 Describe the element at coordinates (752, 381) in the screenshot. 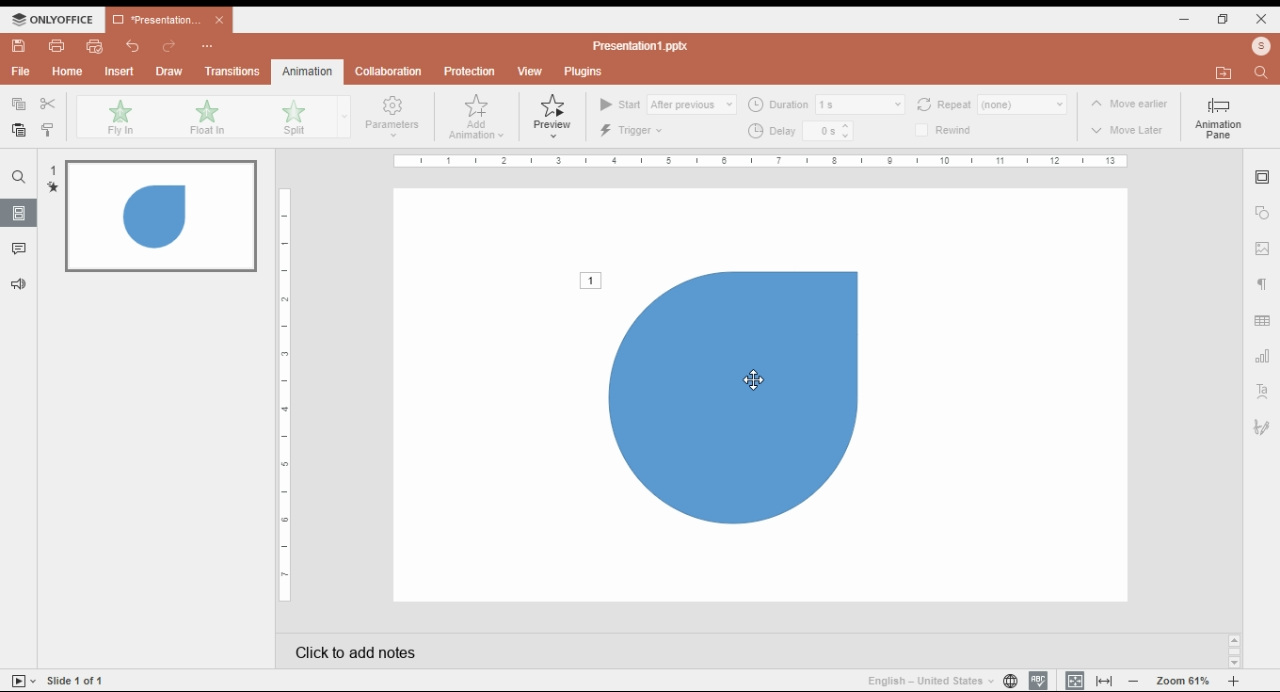

I see `mouse pointer` at that location.